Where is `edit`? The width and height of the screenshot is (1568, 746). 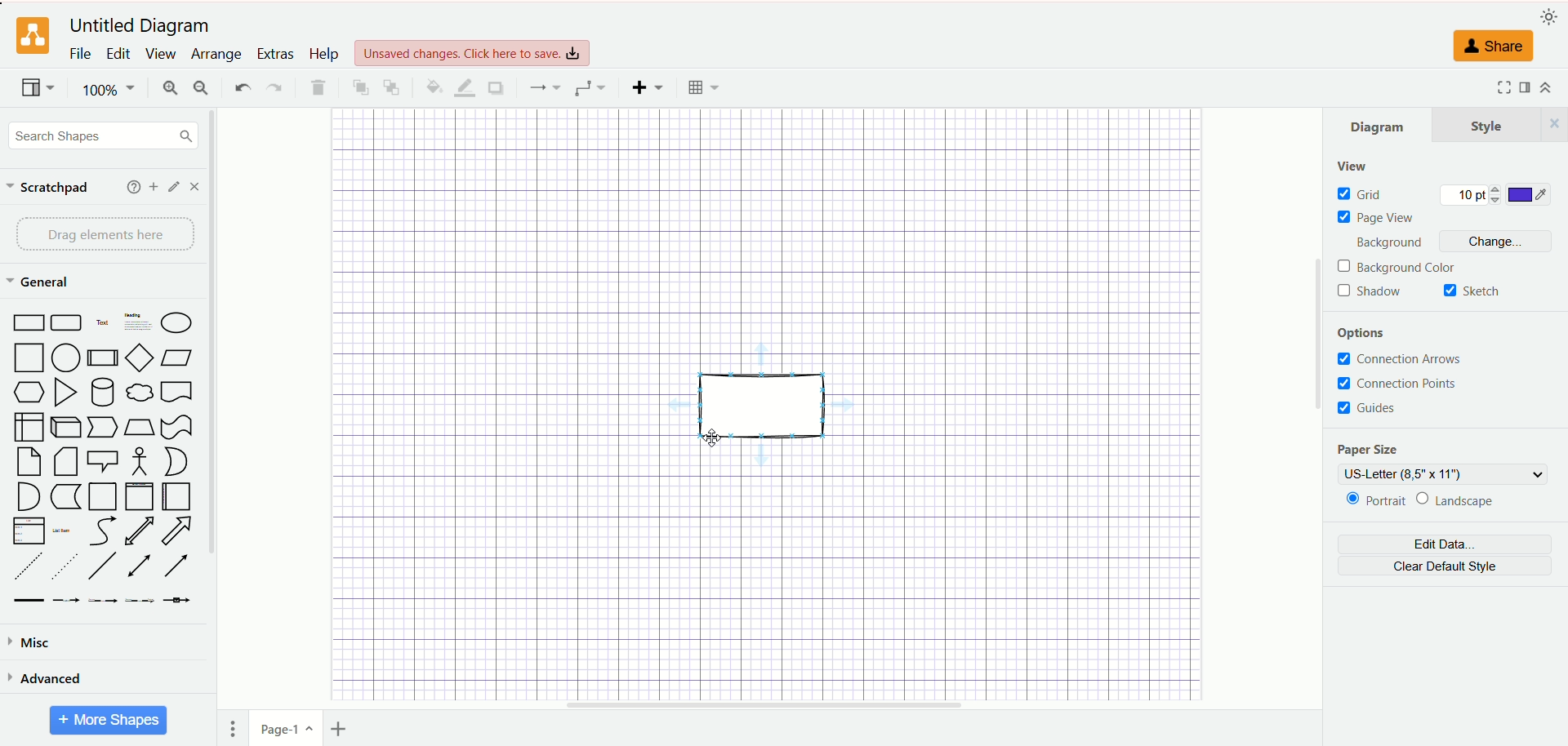
edit is located at coordinates (115, 52).